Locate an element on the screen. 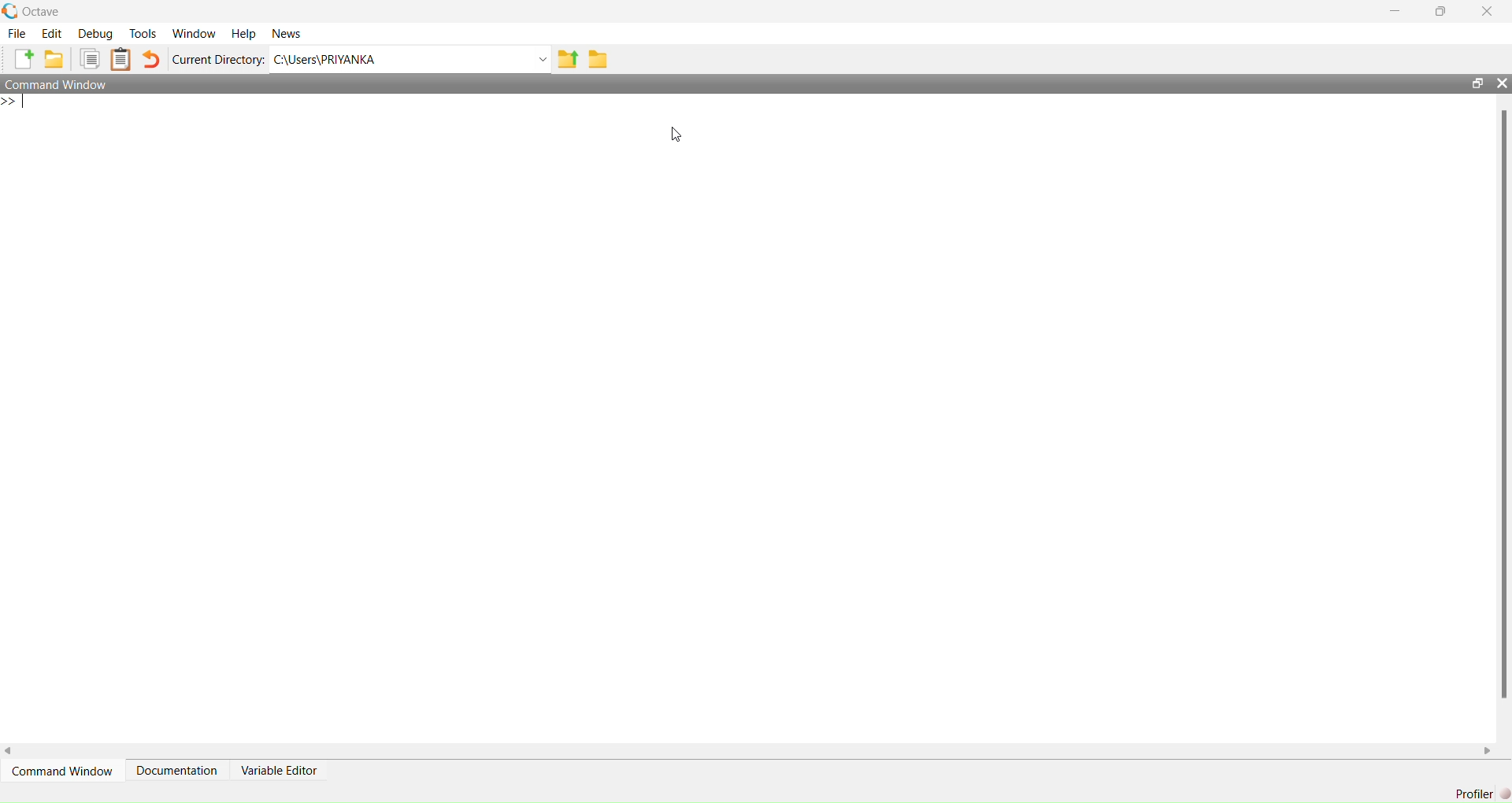 The image size is (1512, 803). share folder is located at coordinates (567, 59).